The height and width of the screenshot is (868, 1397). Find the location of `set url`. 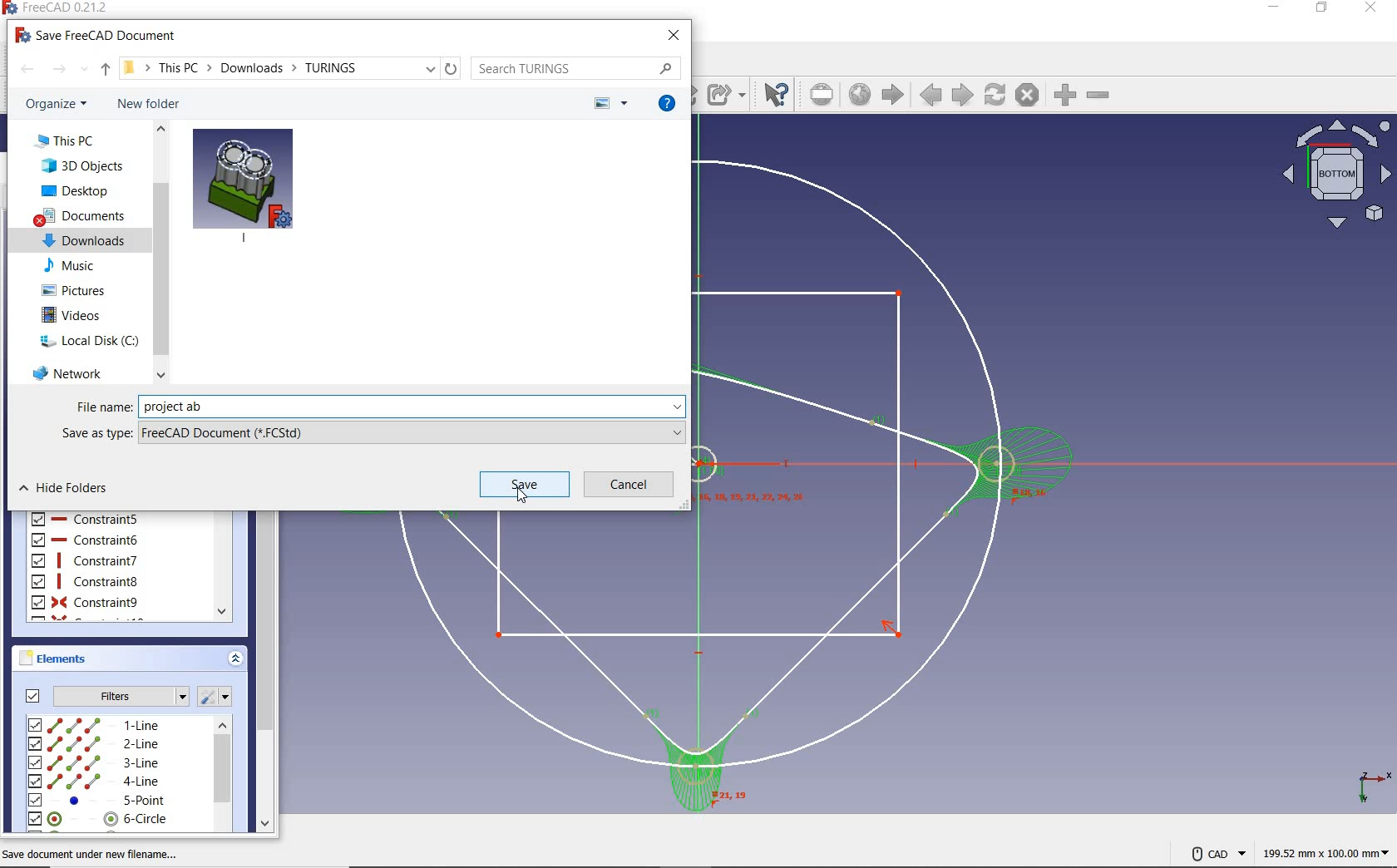

set url is located at coordinates (823, 95).